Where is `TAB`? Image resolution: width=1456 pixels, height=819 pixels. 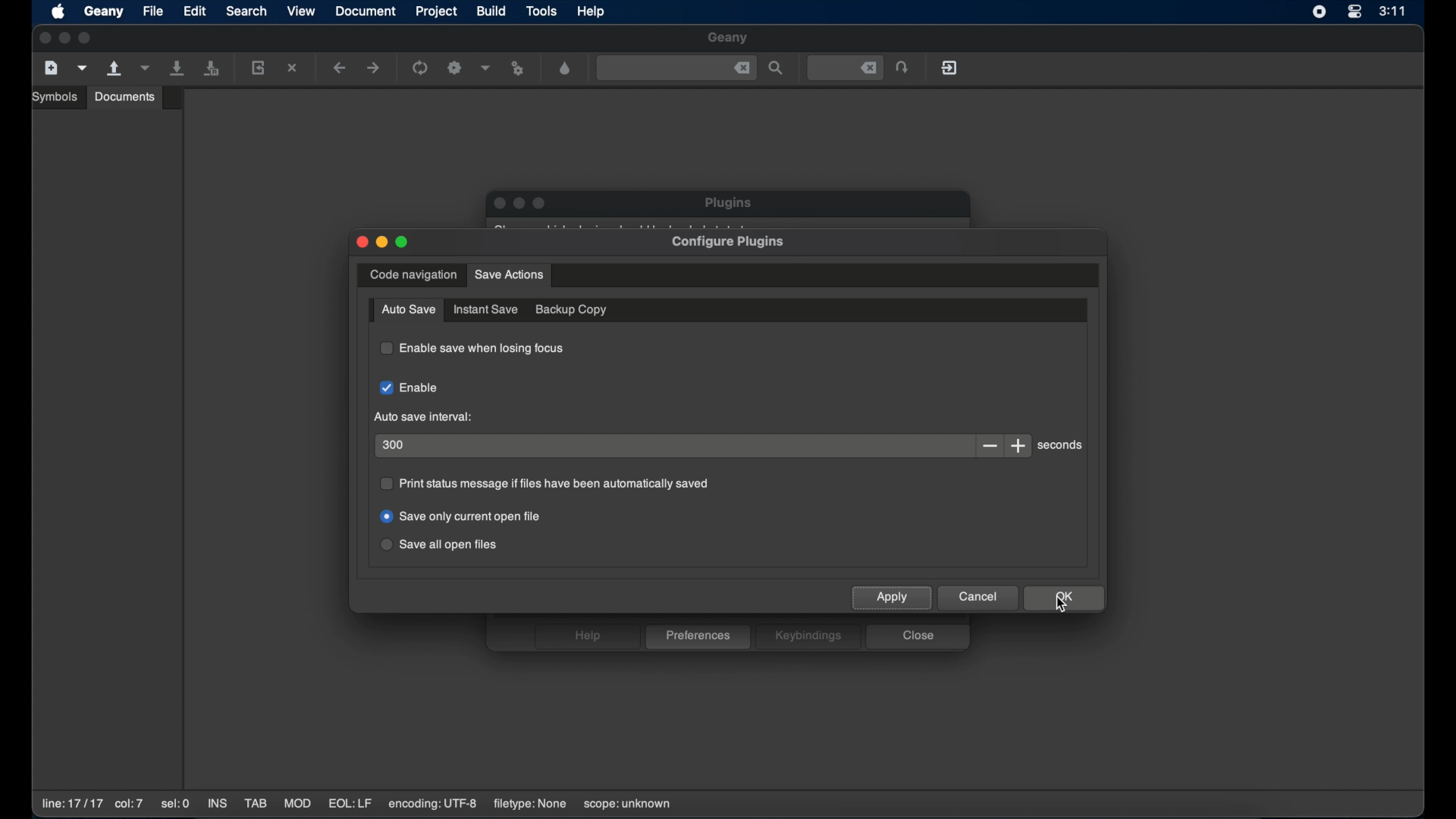 TAB is located at coordinates (256, 804).